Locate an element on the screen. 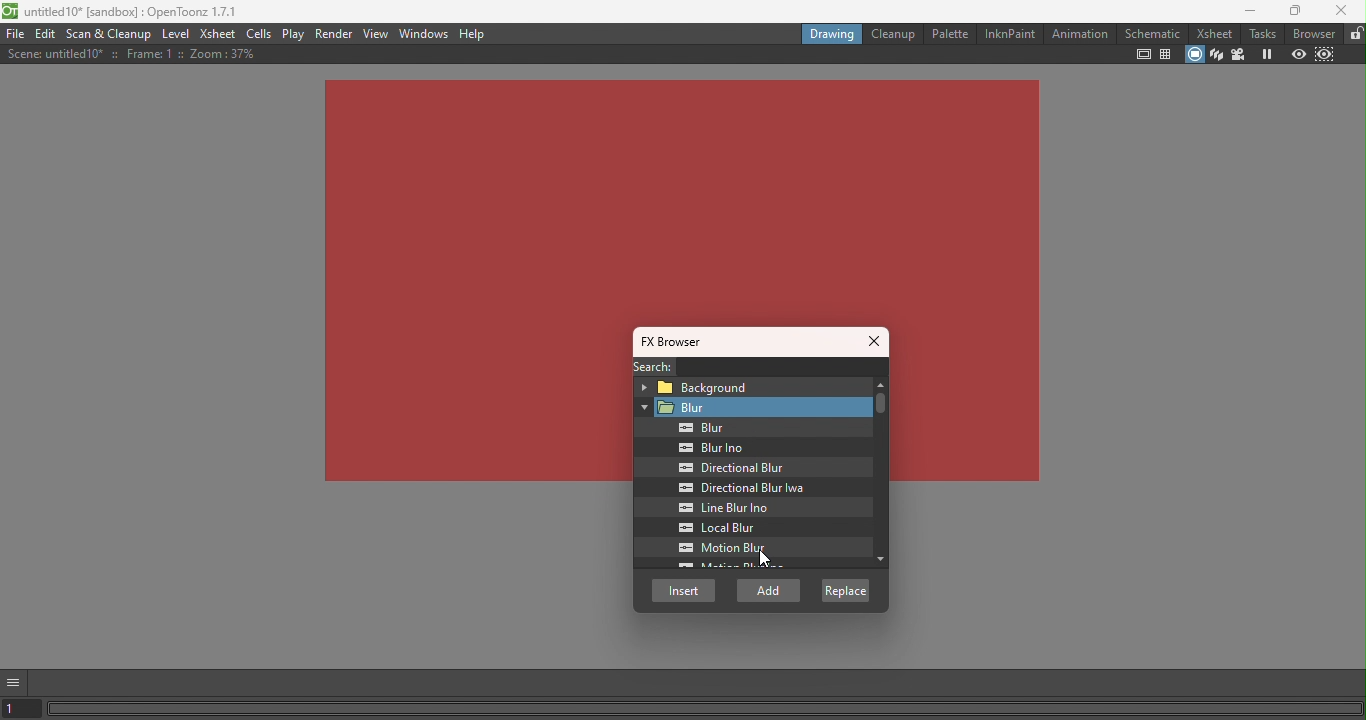 The width and height of the screenshot is (1366, 720). Search is located at coordinates (650, 366).